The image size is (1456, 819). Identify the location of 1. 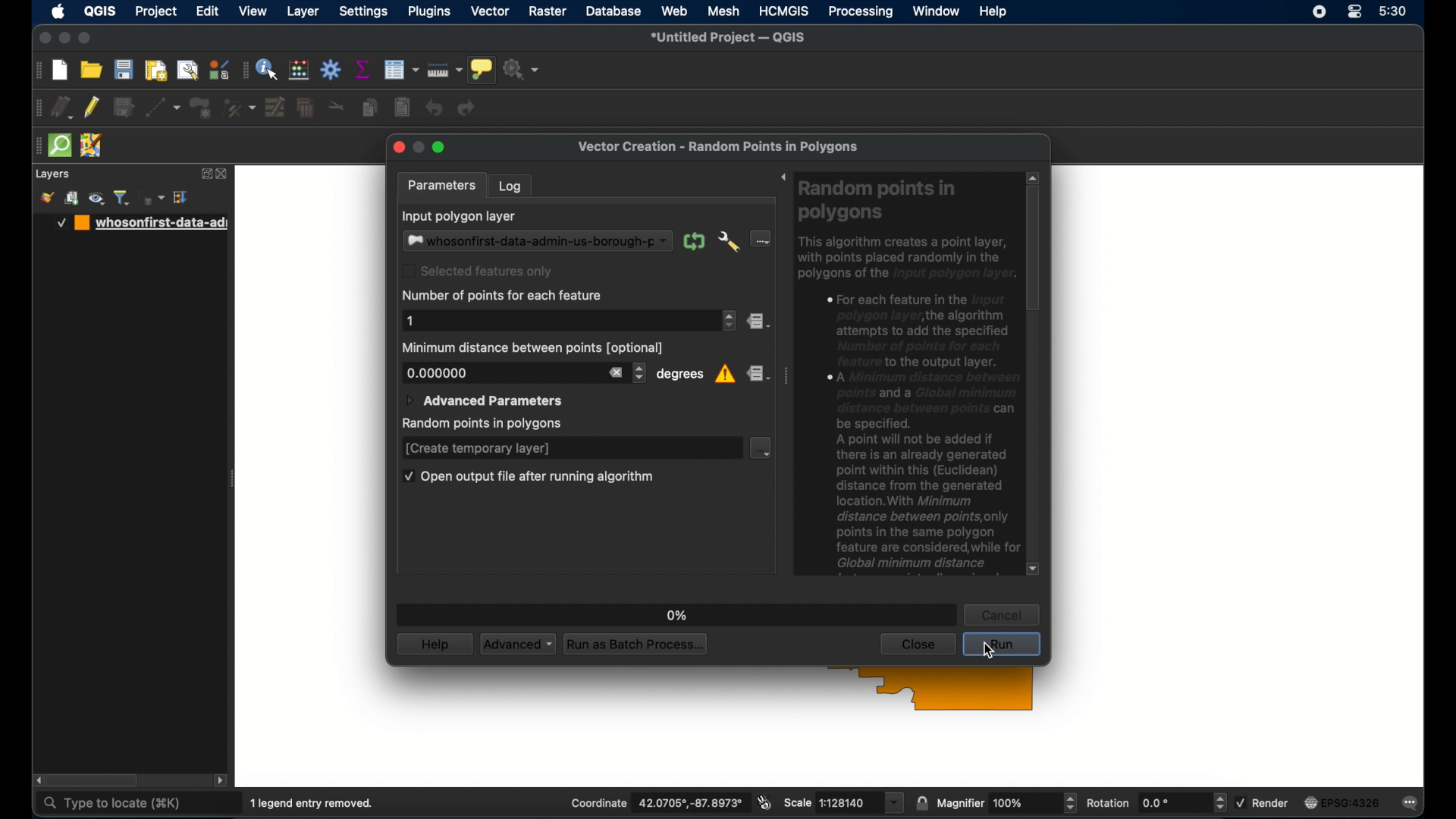
(409, 321).